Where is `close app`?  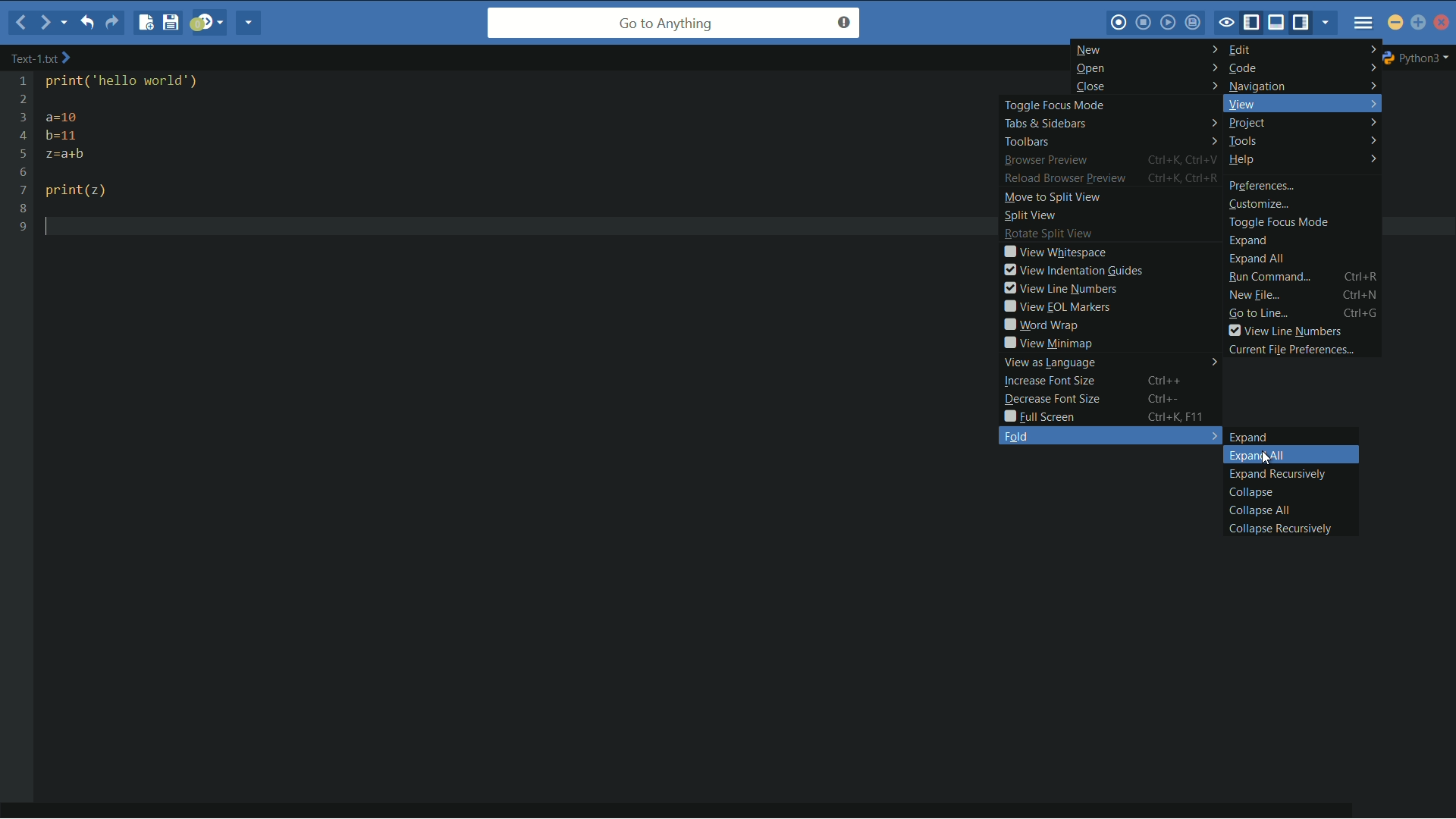
close app is located at coordinates (1442, 22).